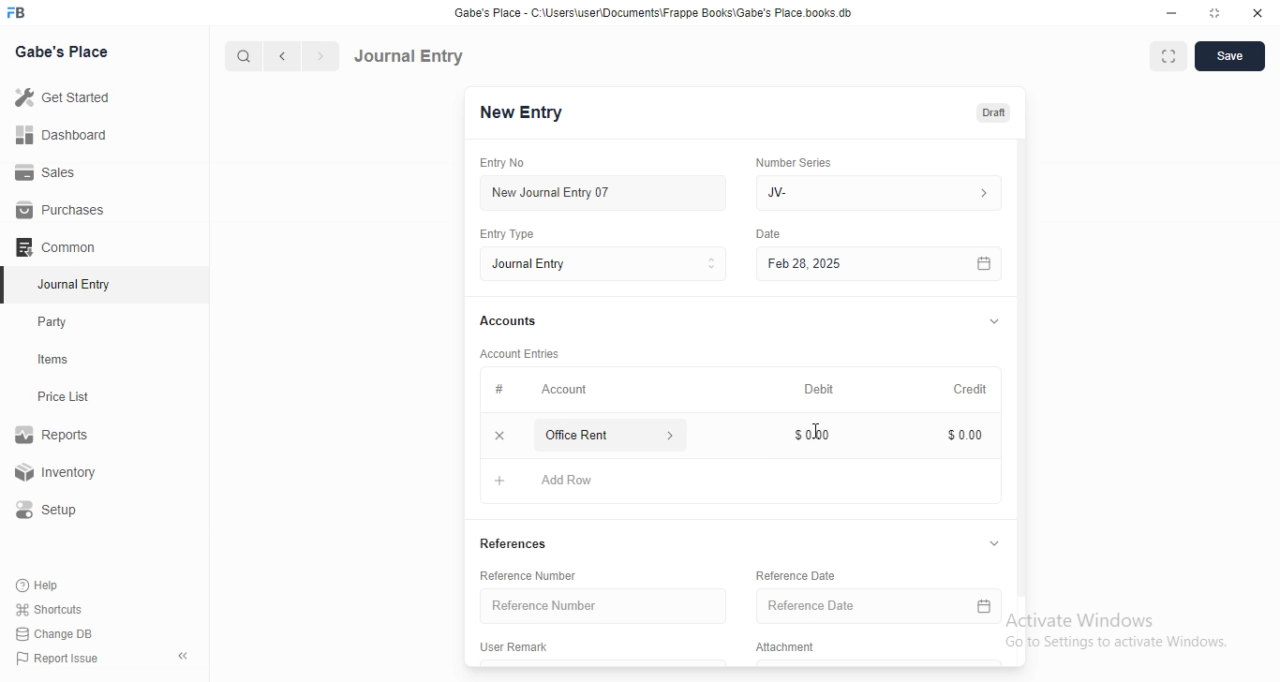 This screenshot has height=682, width=1280. What do you see at coordinates (185, 657) in the screenshot?
I see `«` at bounding box center [185, 657].